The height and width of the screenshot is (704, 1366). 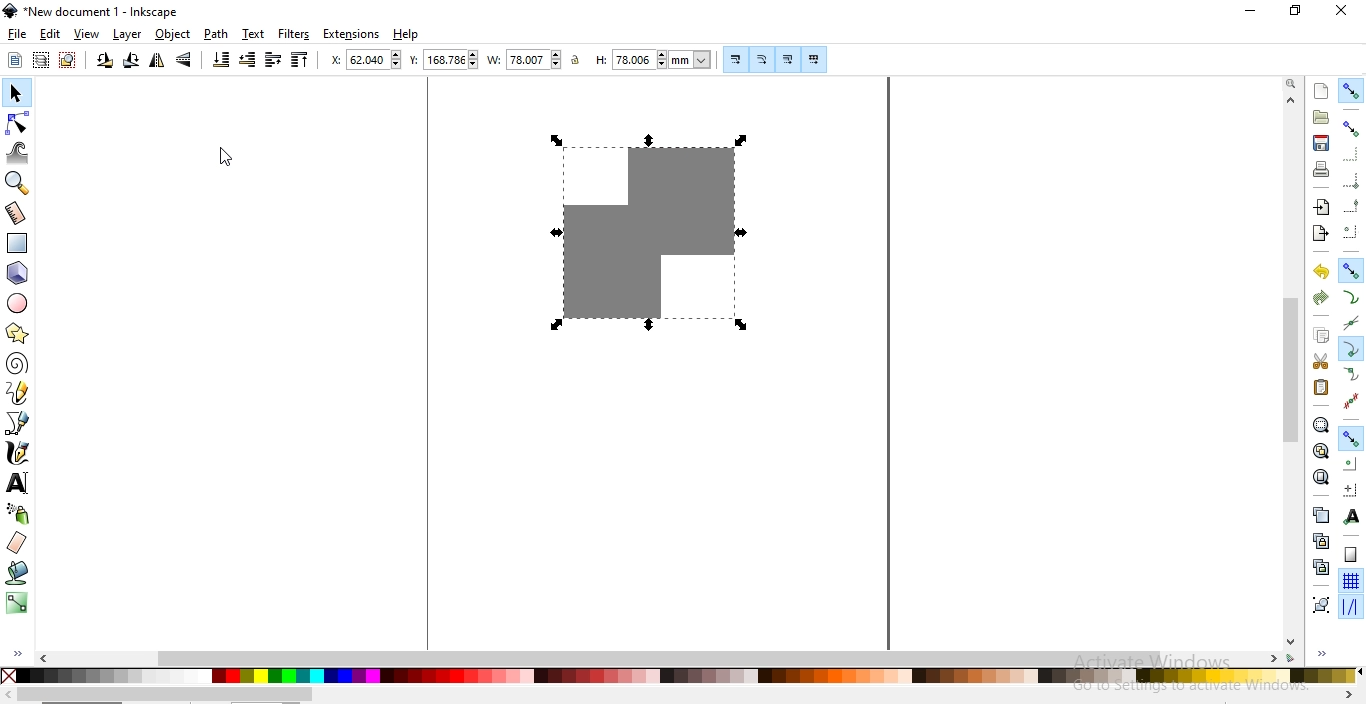 I want to click on object, so click(x=173, y=34).